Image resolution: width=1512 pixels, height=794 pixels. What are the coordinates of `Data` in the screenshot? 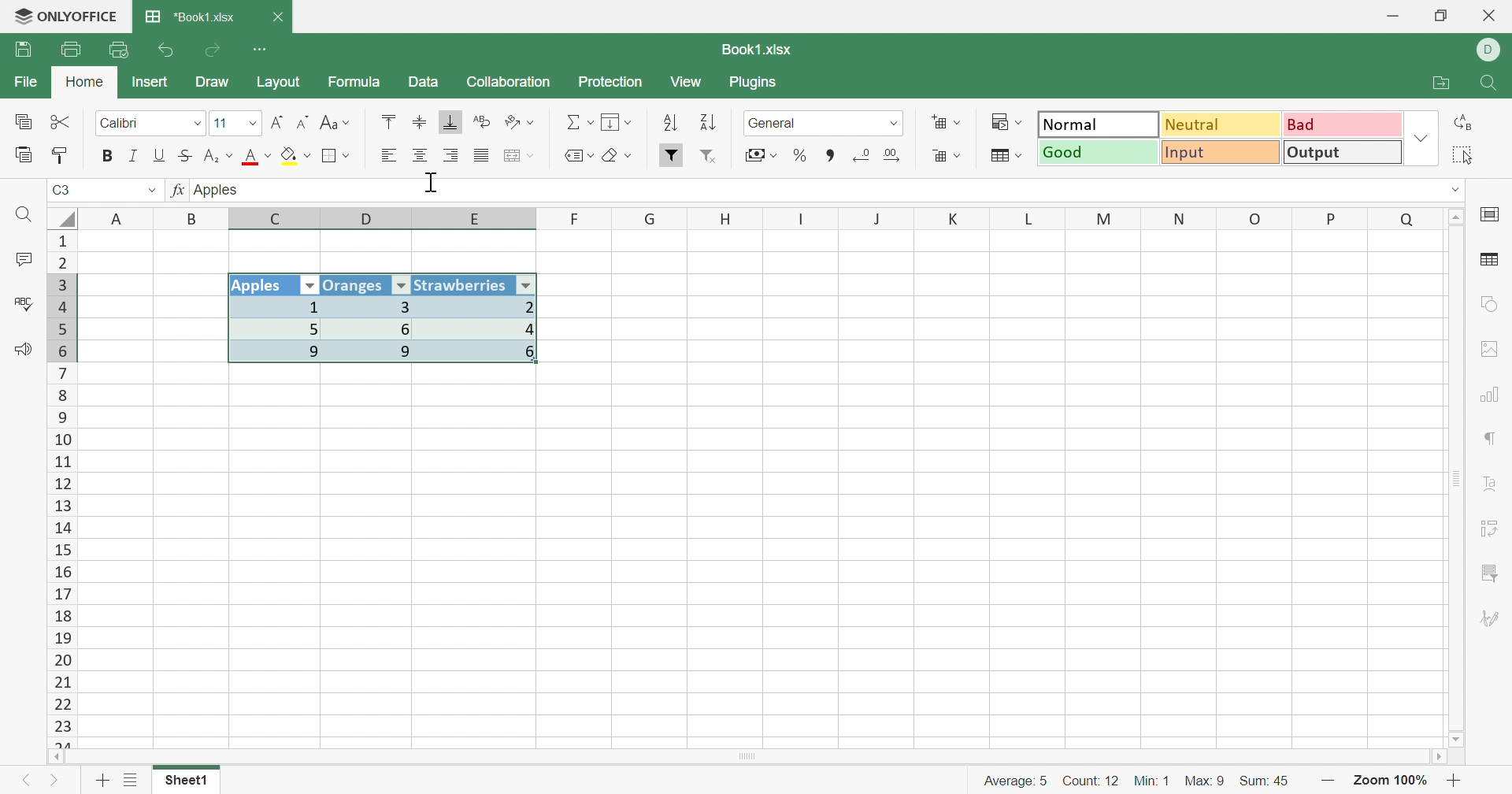 It's located at (424, 83).